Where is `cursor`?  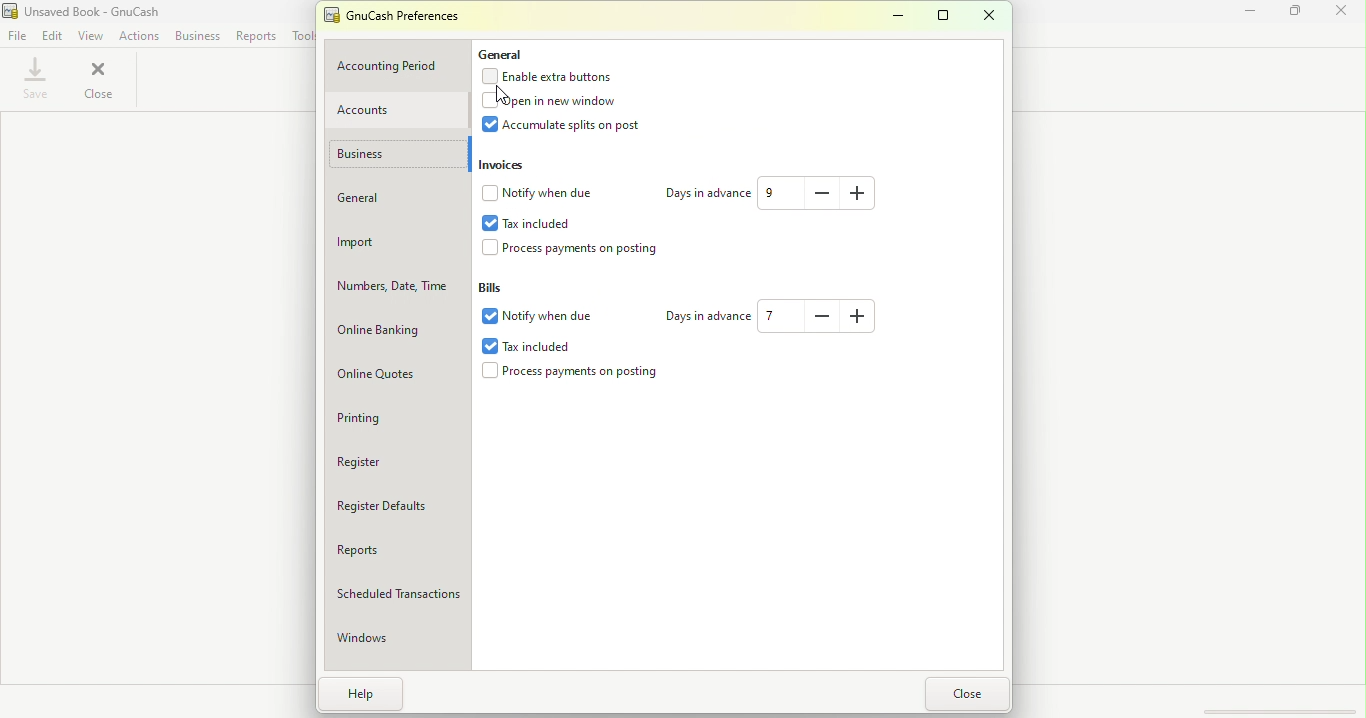
cursor is located at coordinates (504, 95).